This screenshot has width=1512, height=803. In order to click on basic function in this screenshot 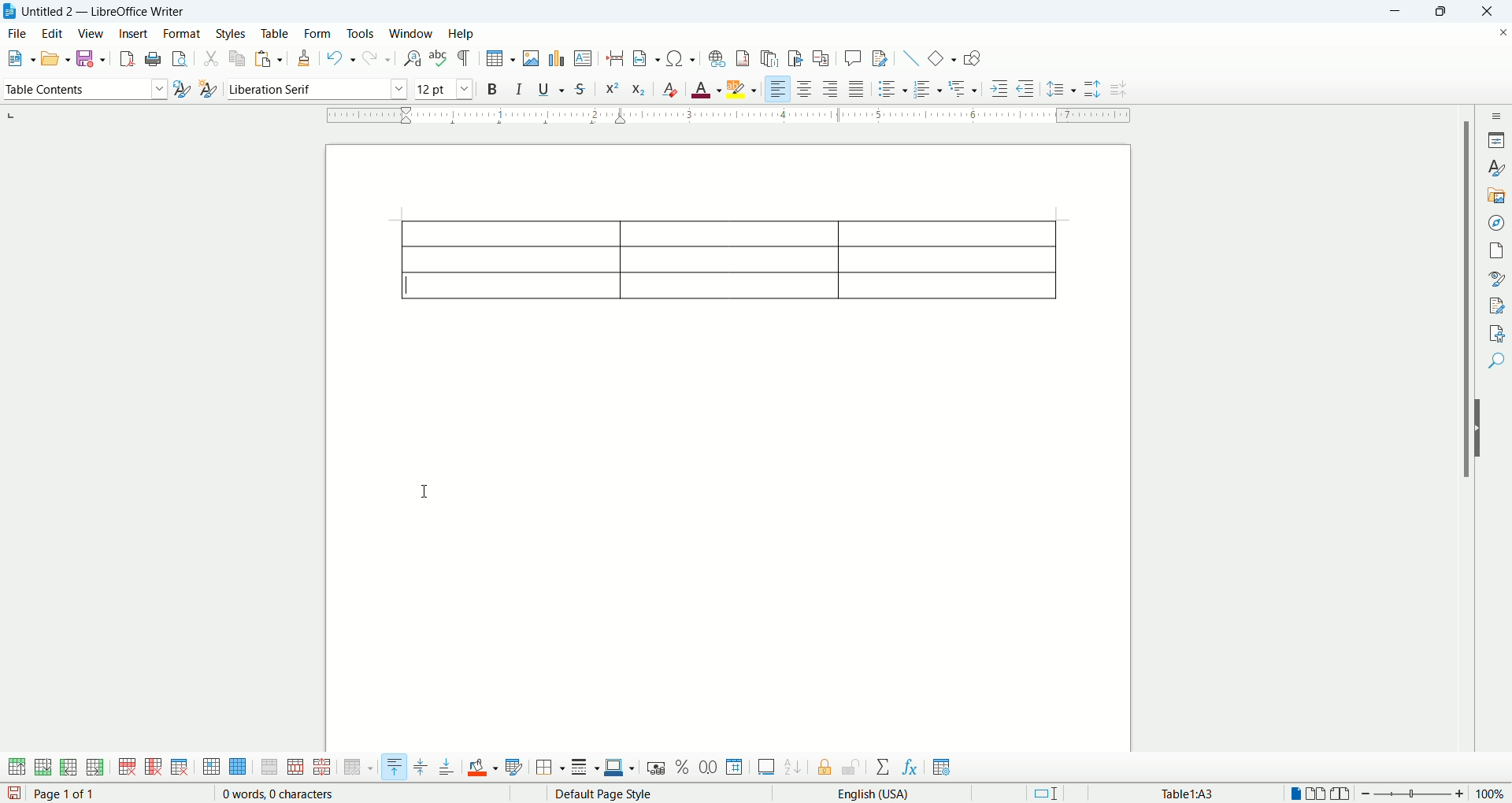, I will do `click(941, 57)`.